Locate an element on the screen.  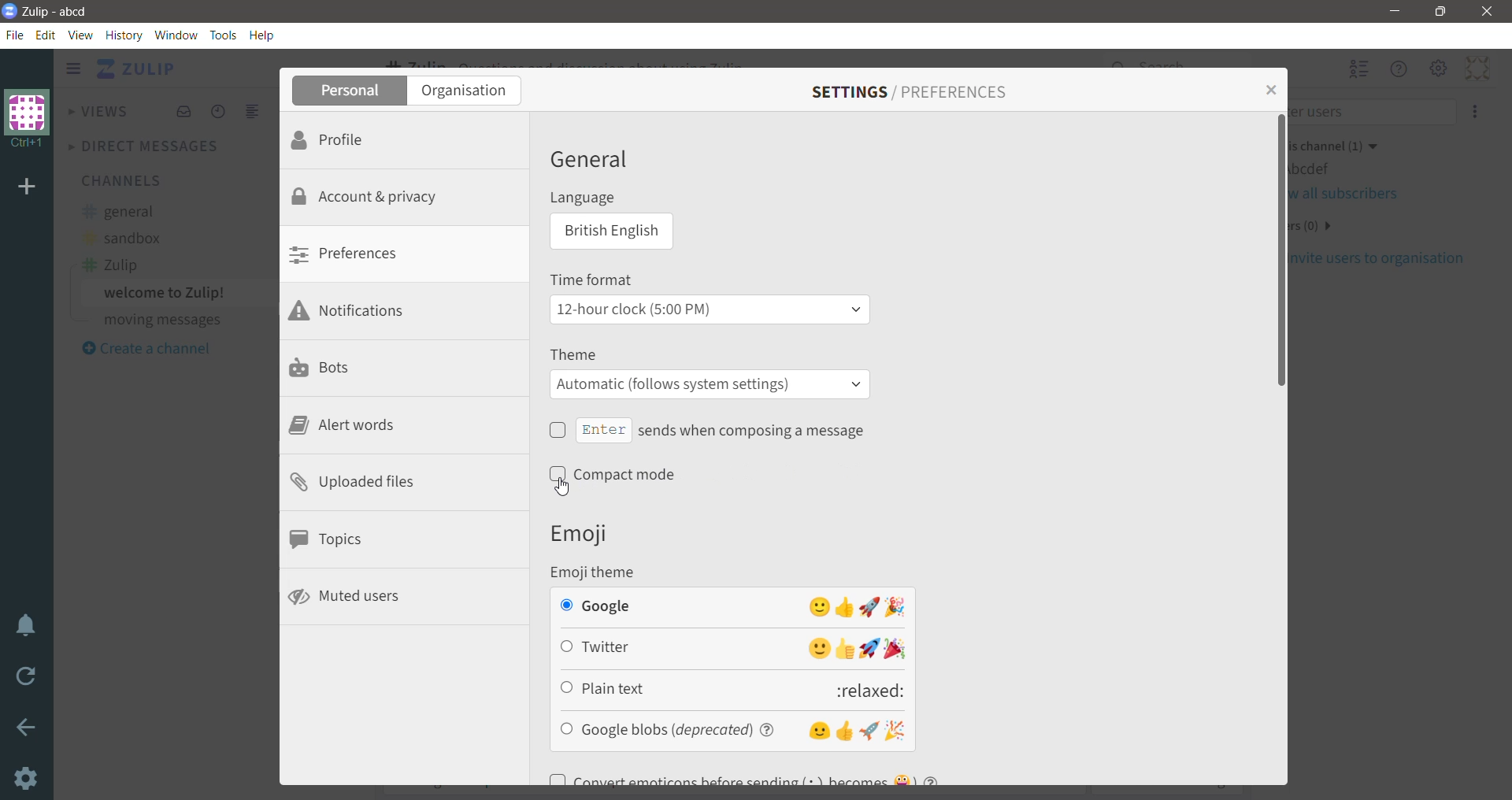
Settings/Preferences is located at coordinates (911, 91).